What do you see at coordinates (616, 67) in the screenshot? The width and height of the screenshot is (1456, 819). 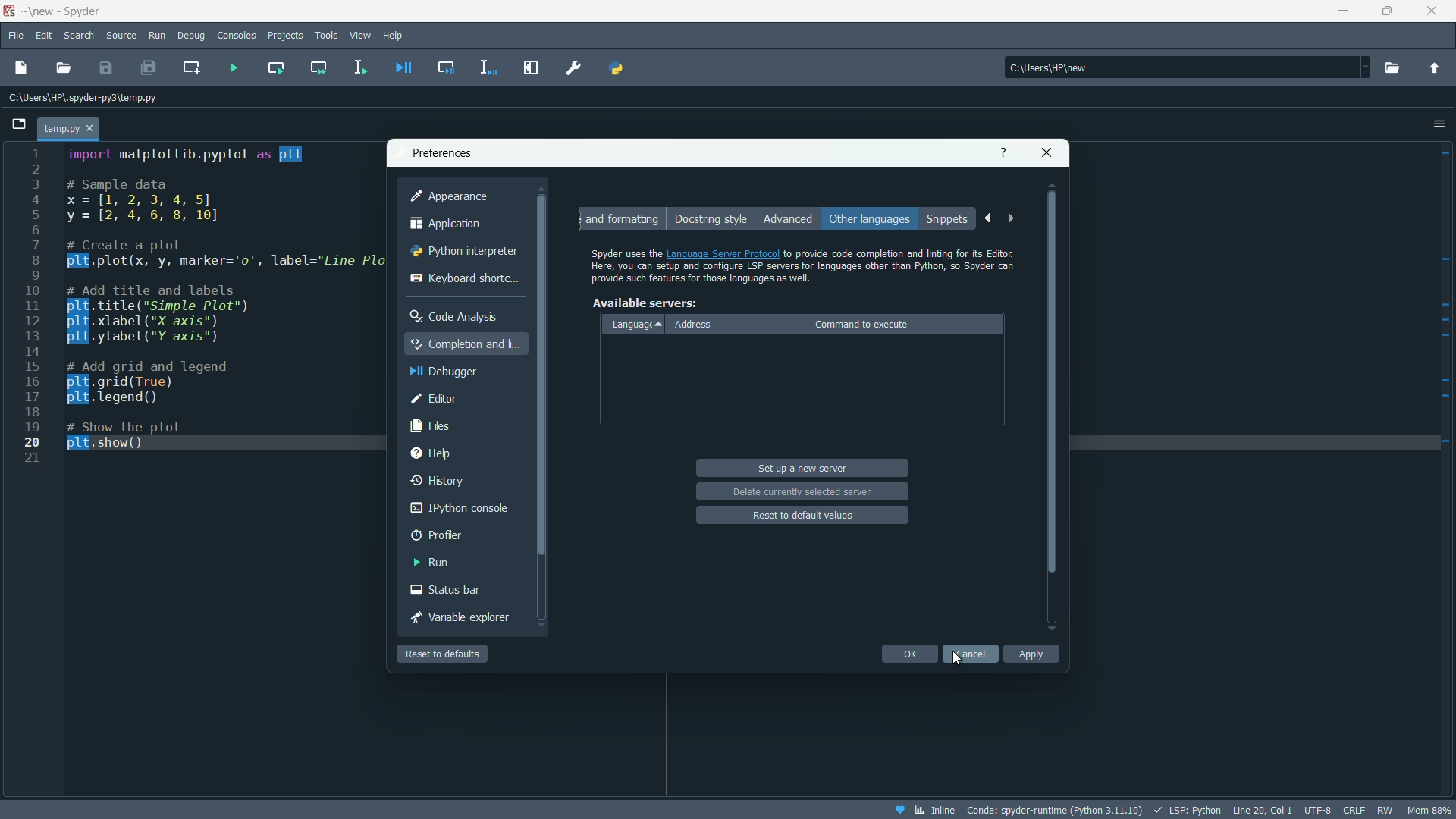 I see `python path manager` at bounding box center [616, 67].